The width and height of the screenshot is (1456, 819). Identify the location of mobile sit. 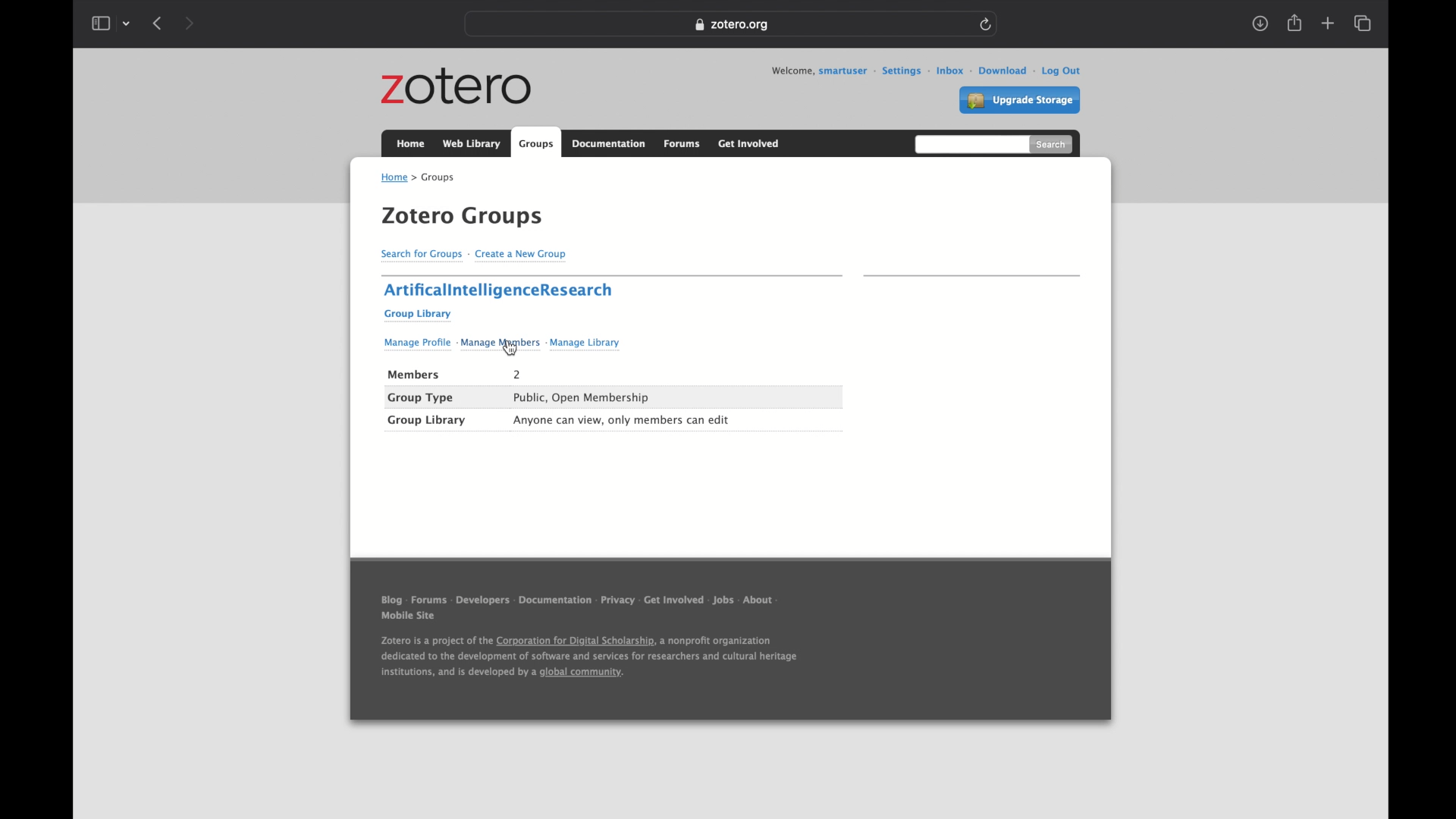
(409, 617).